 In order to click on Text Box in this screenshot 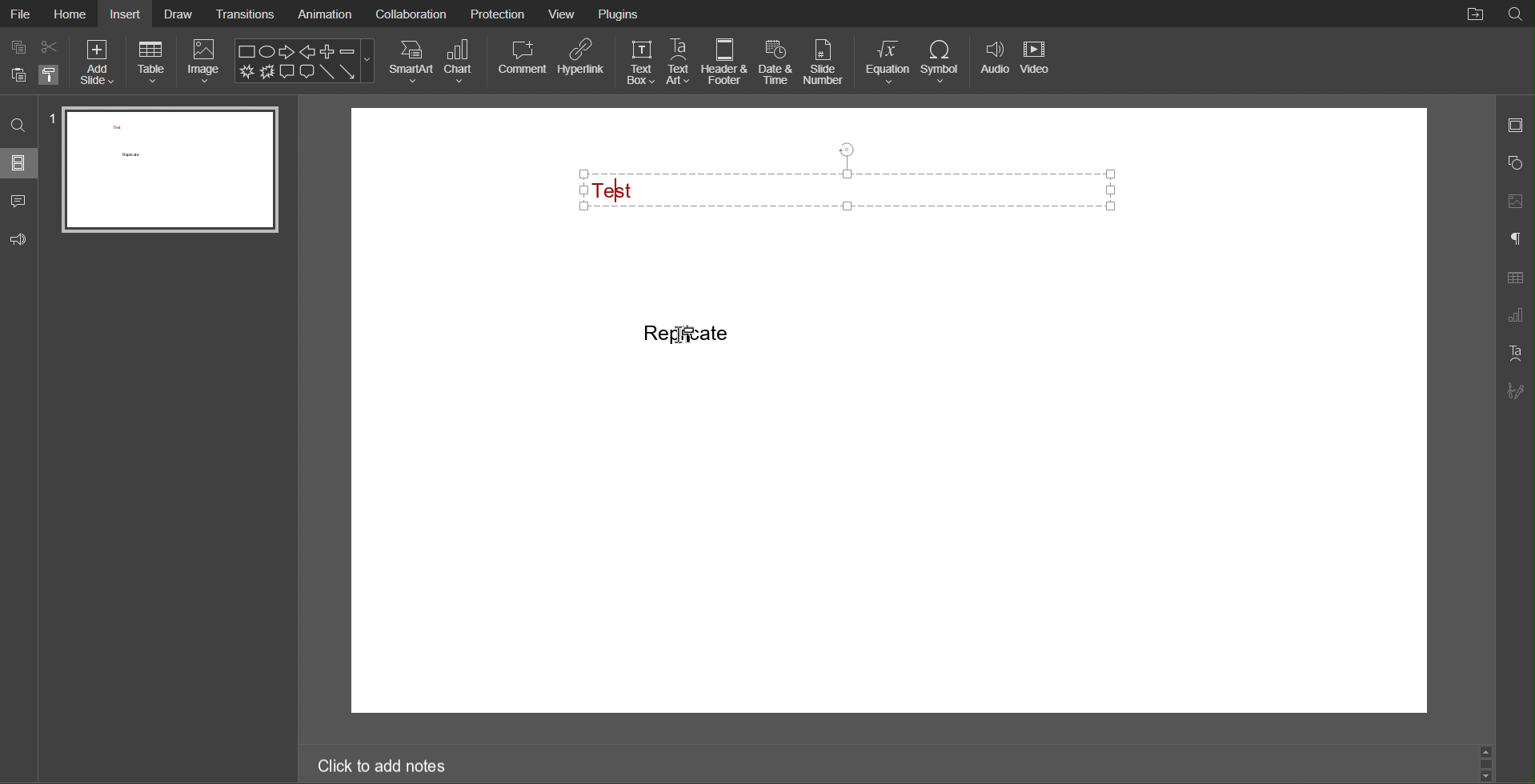, I will do `click(856, 187)`.